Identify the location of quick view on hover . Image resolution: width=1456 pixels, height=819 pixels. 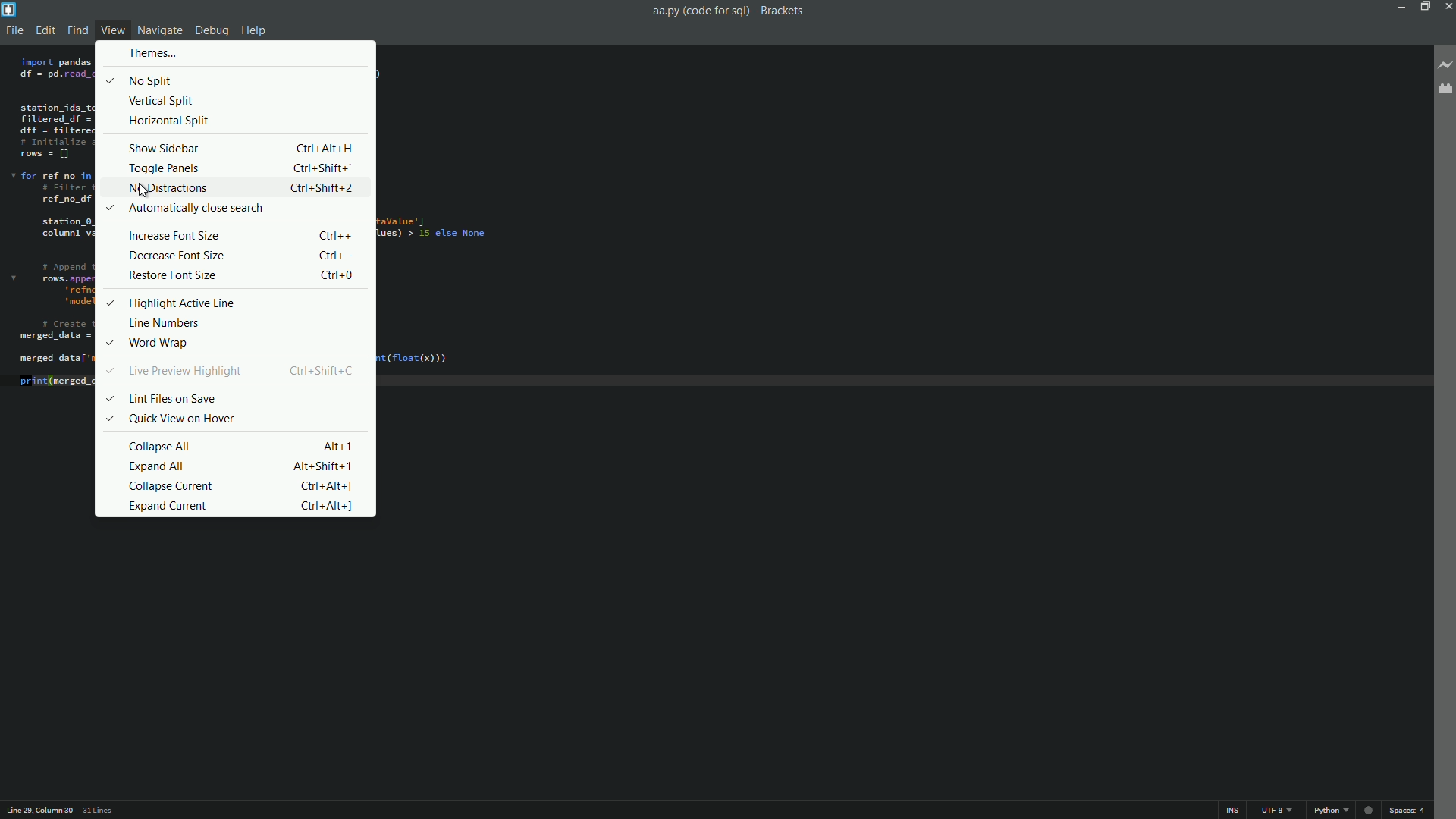
(240, 418).